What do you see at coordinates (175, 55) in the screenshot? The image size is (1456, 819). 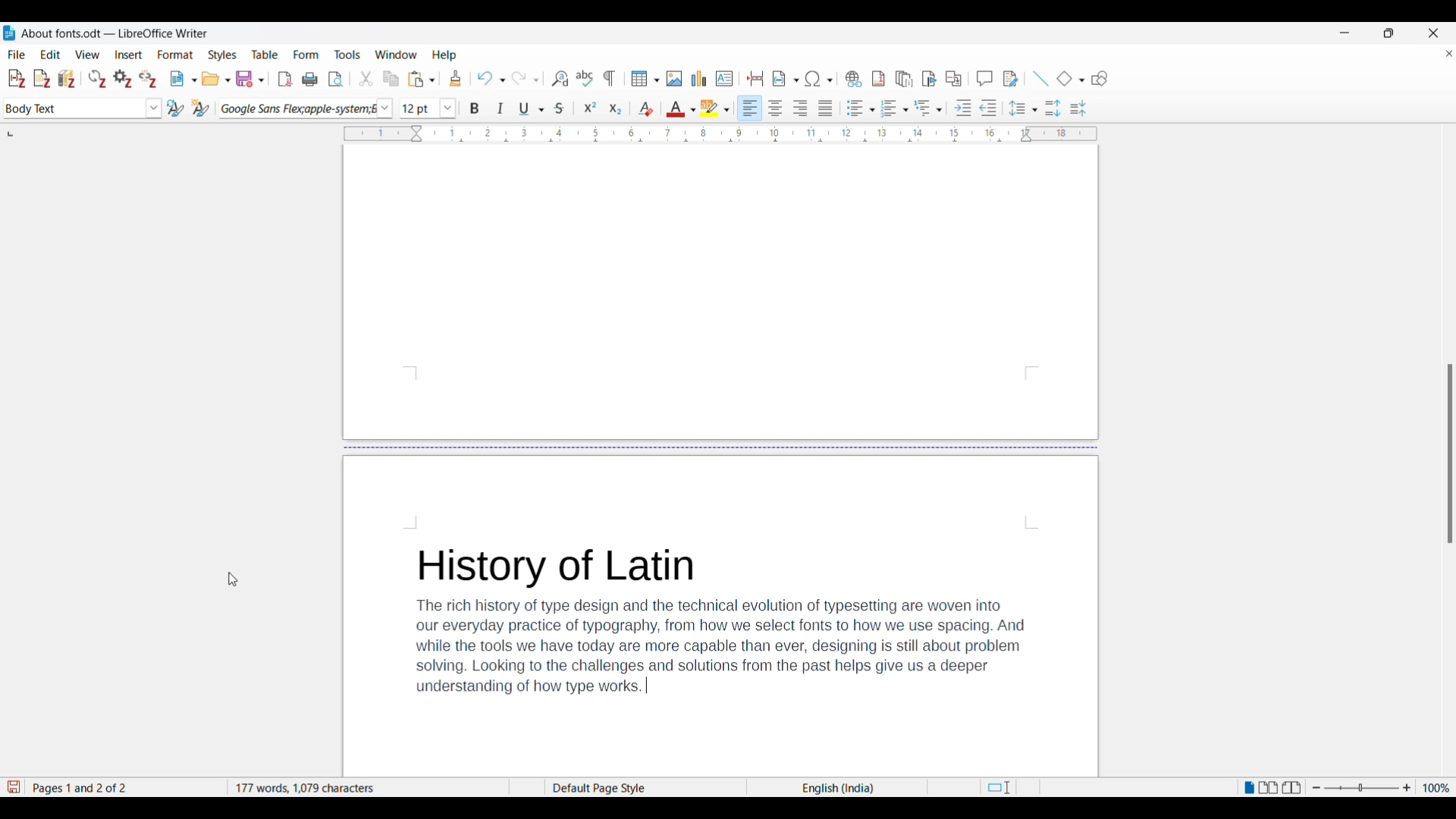 I see `Format menu` at bounding box center [175, 55].